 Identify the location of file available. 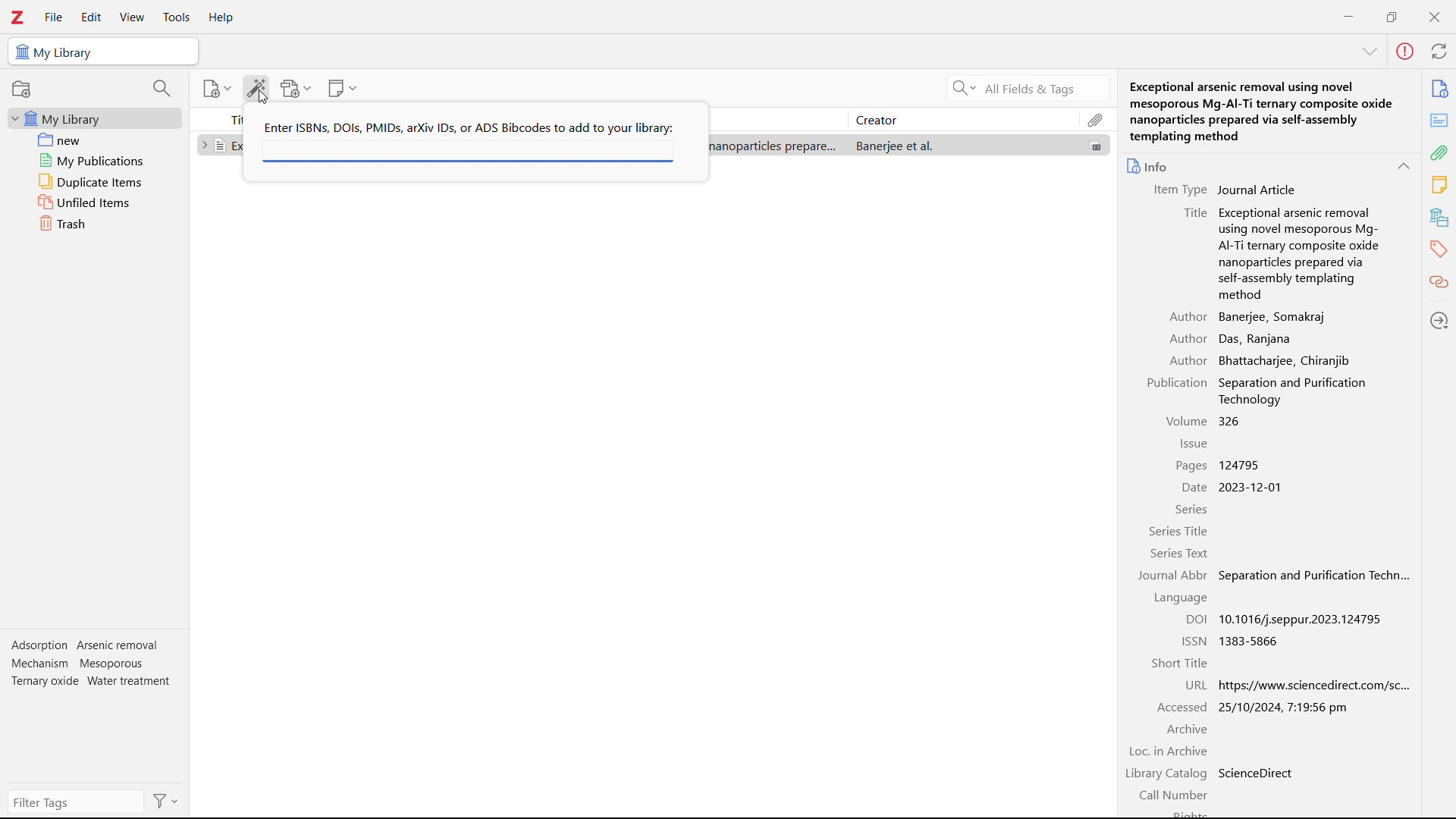
(1095, 146).